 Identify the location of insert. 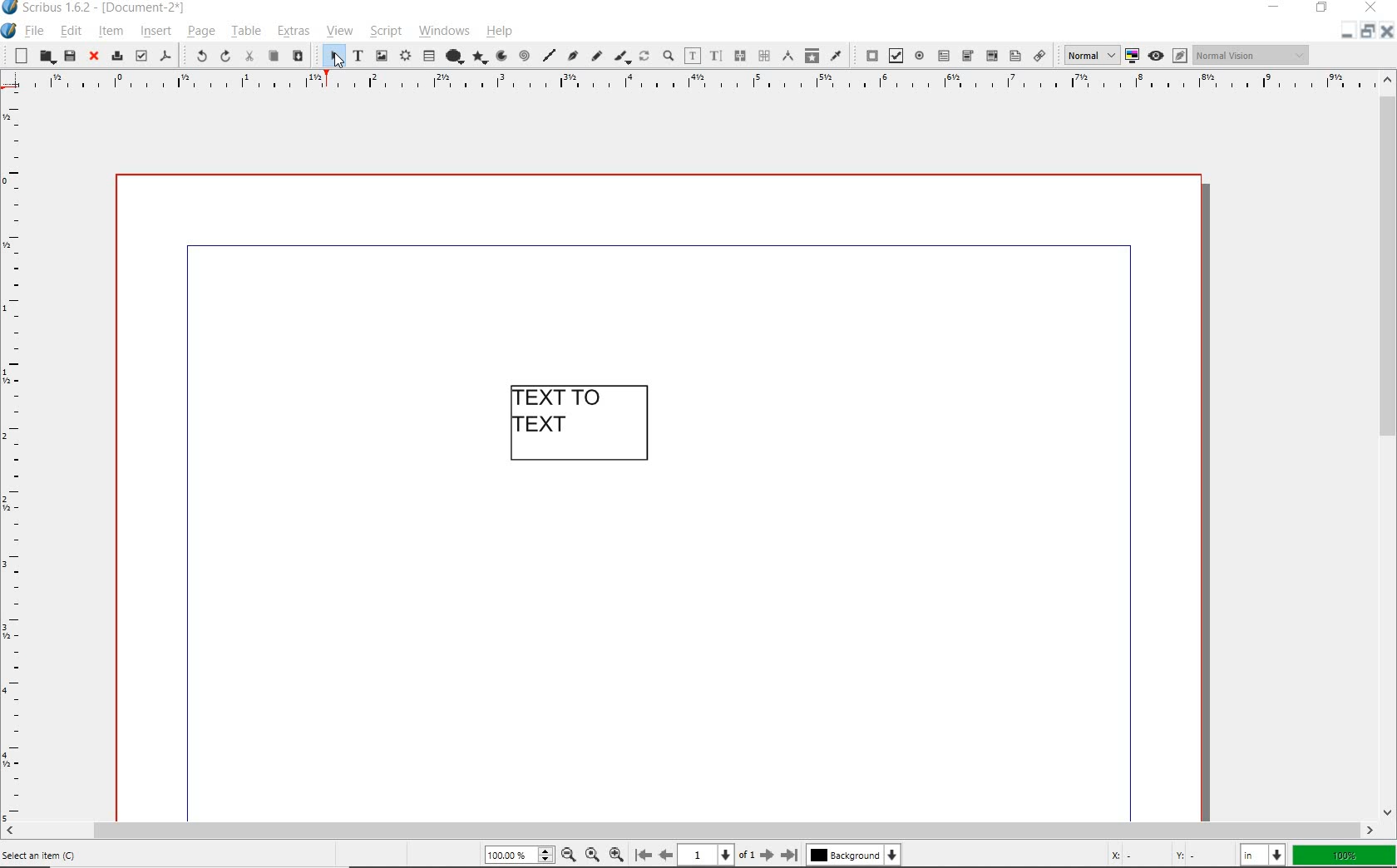
(155, 31).